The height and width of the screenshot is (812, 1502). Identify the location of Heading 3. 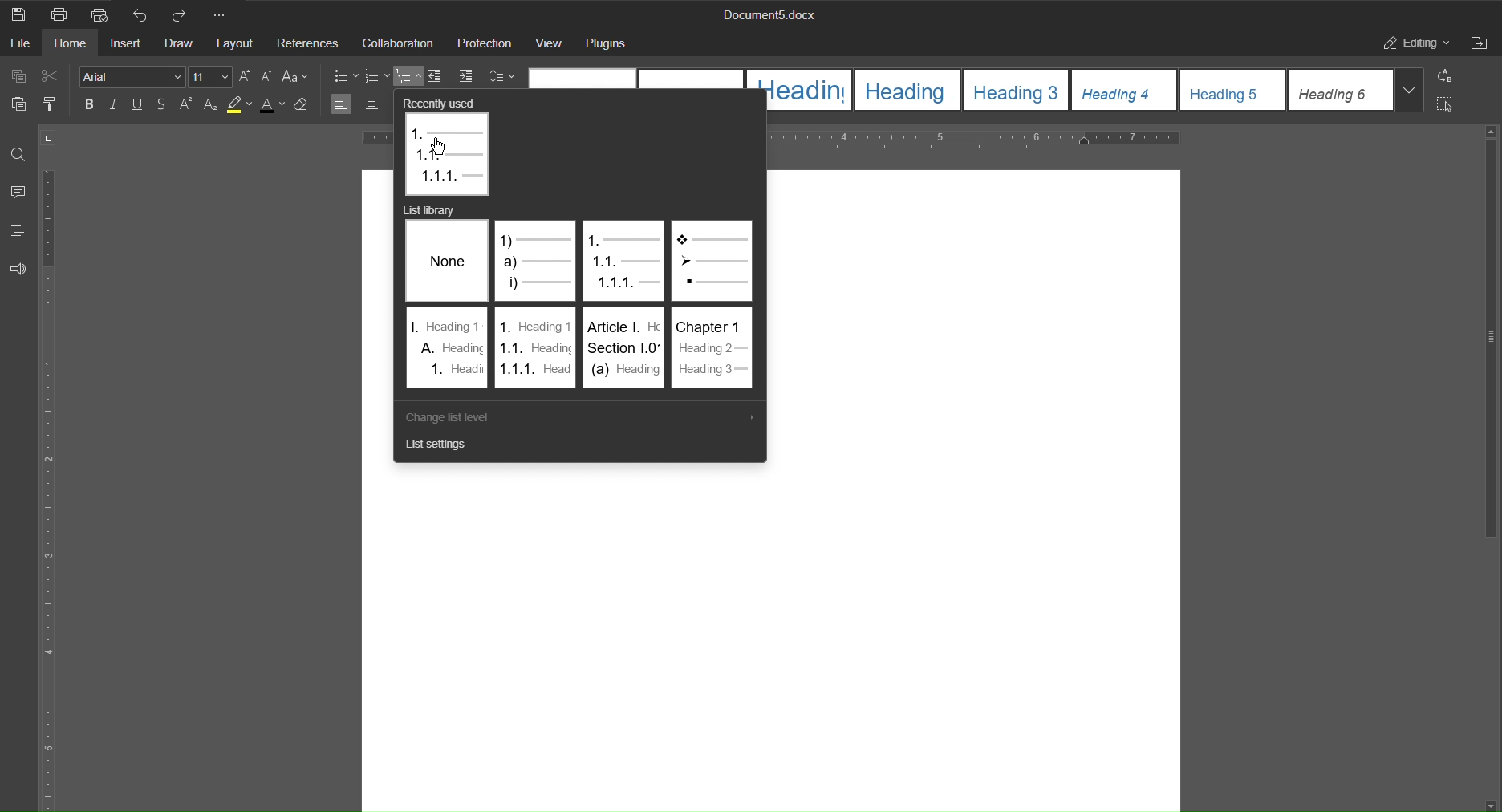
(1018, 91).